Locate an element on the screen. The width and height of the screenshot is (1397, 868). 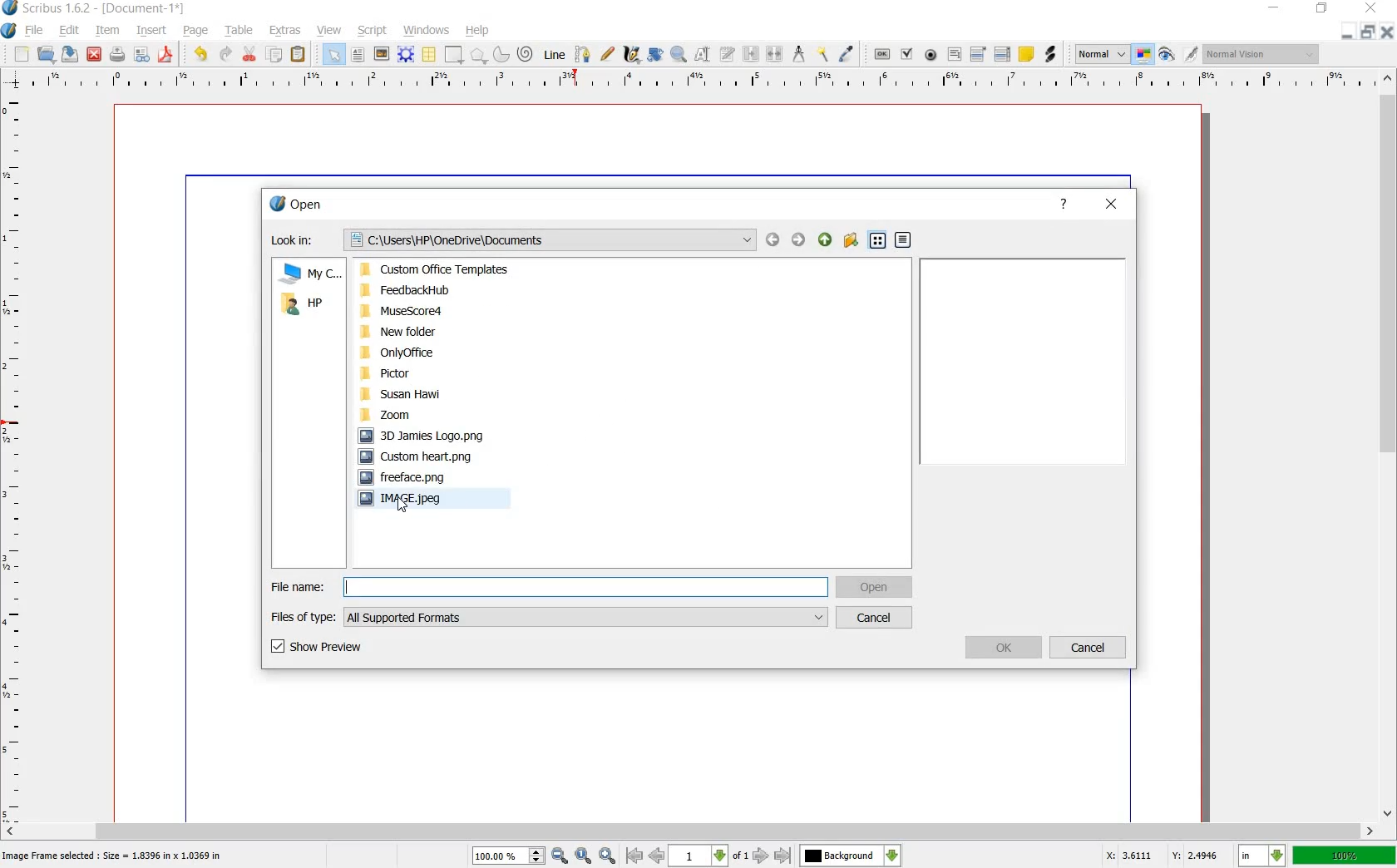
Zoom out is located at coordinates (610, 856).